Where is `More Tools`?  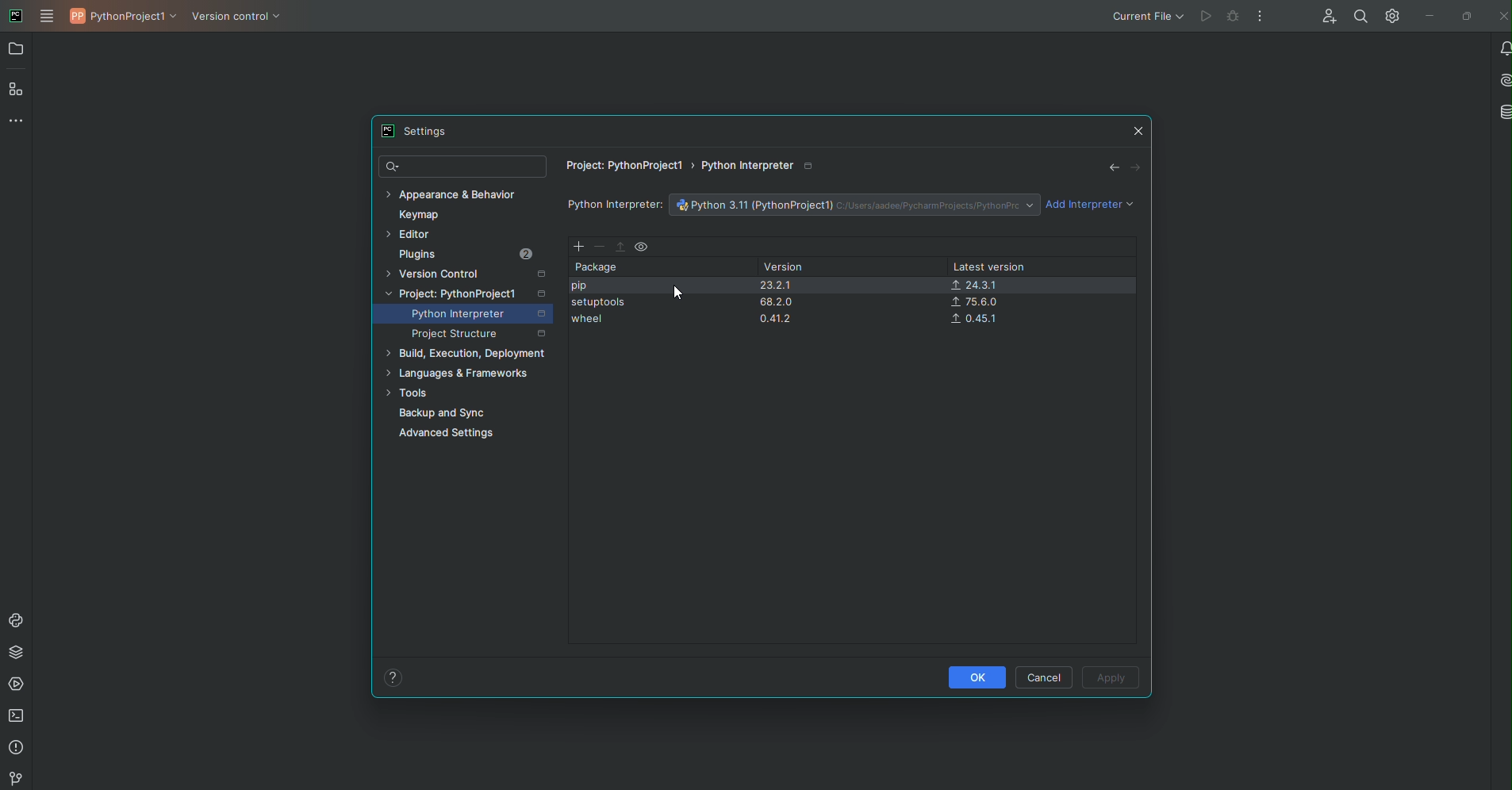 More Tools is located at coordinates (15, 124).